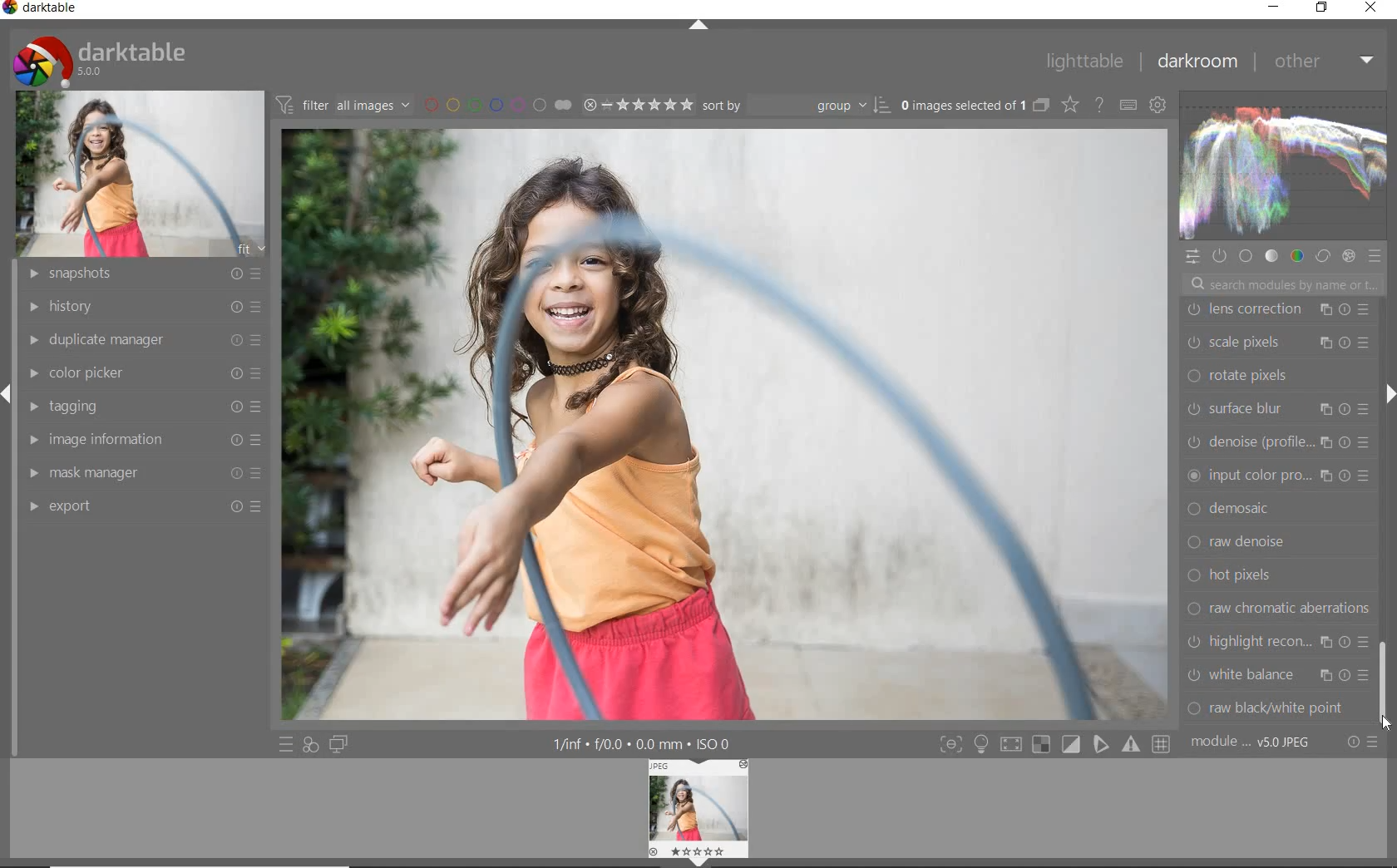 This screenshot has height=868, width=1397. What do you see at coordinates (1071, 105) in the screenshot?
I see `change type for overlay` at bounding box center [1071, 105].